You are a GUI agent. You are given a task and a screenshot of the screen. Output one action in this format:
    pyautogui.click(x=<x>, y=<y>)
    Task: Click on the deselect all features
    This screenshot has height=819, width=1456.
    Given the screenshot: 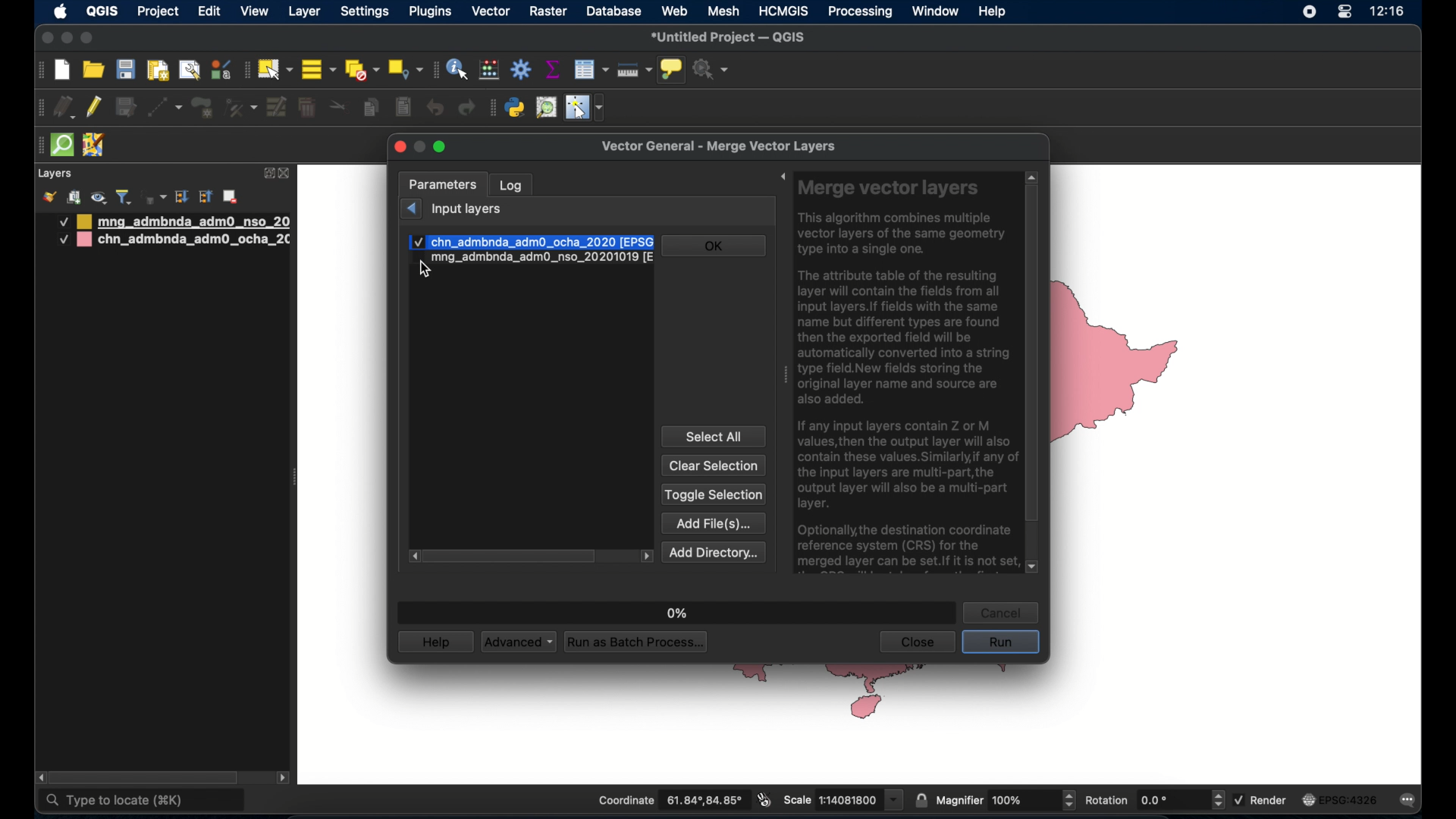 What is the action you would take?
    pyautogui.click(x=362, y=71)
    